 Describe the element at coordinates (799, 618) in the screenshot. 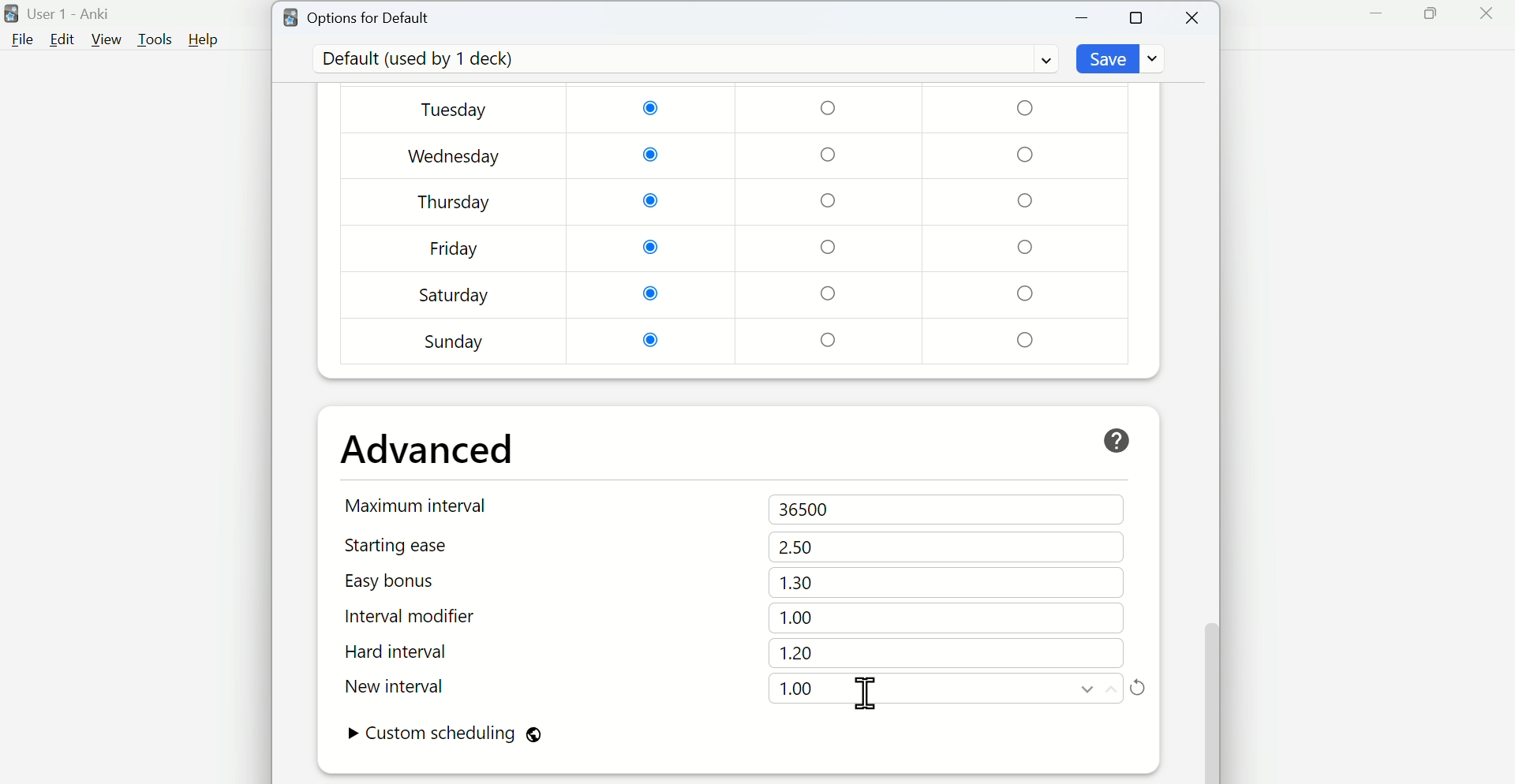

I see `1.00` at that location.